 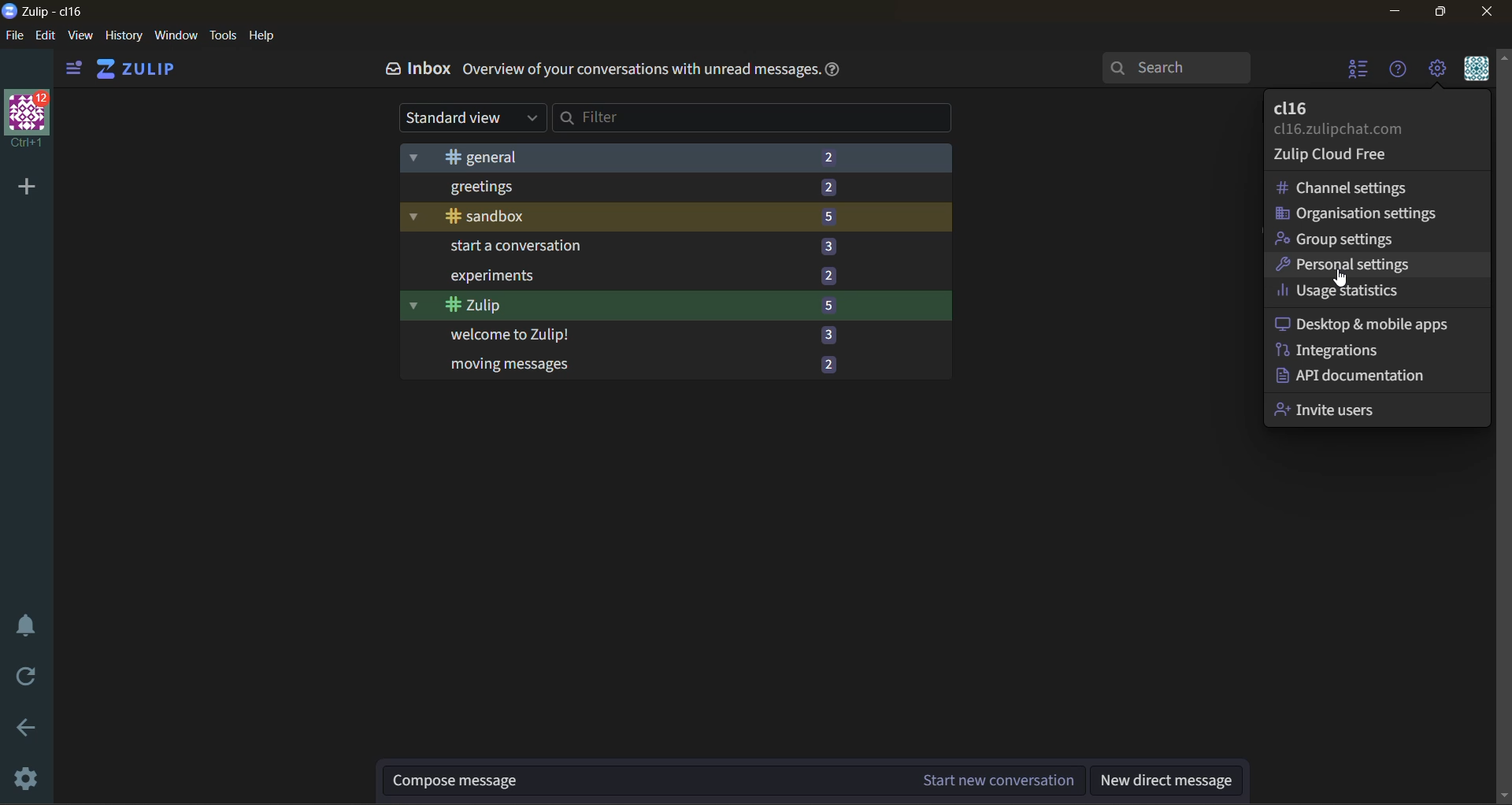 What do you see at coordinates (222, 35) in the screenshot?
I see `tools` at bounding box center [222, 35].